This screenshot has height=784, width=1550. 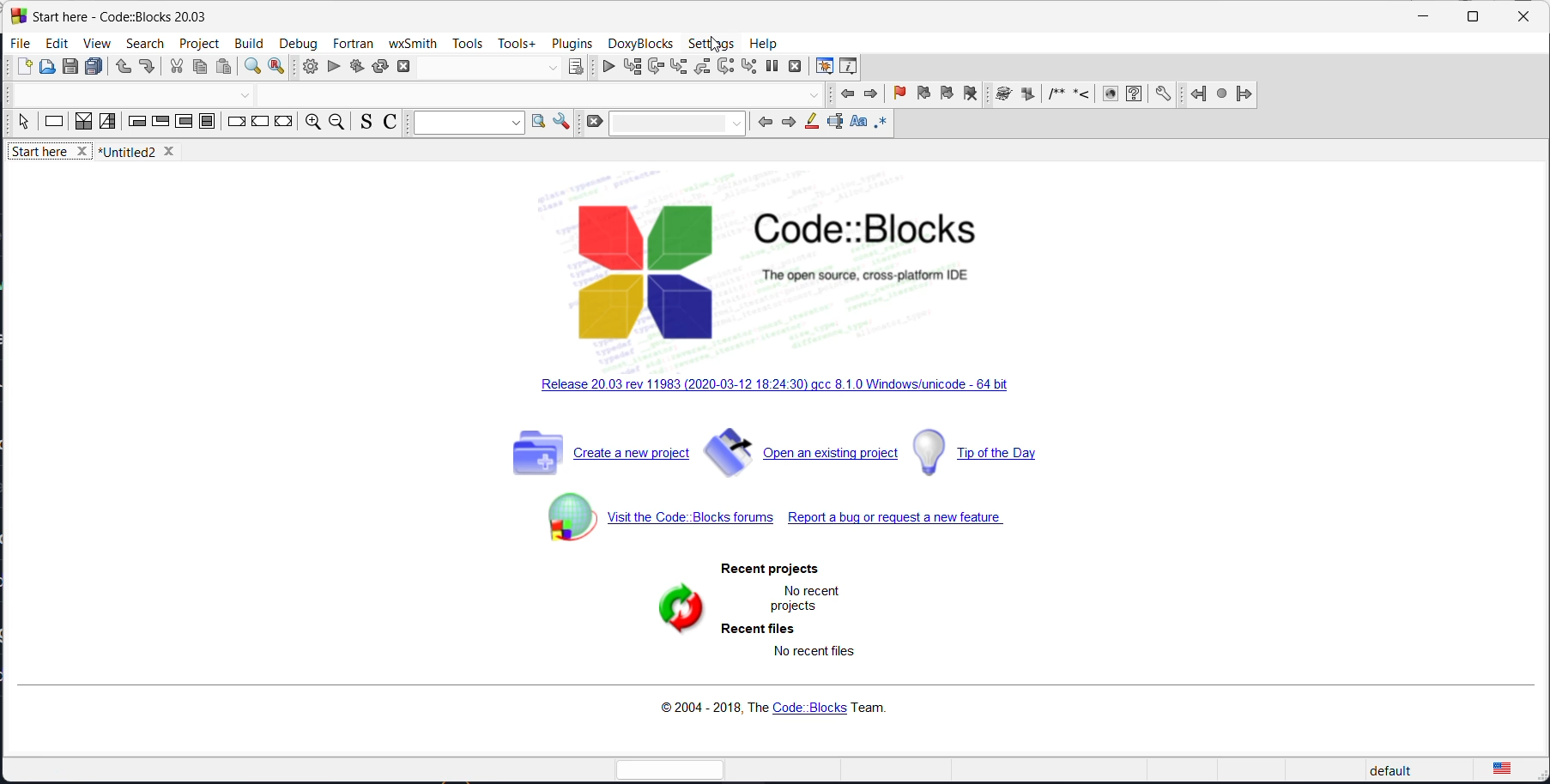 What do you see at coordinates (808, 270) in the screenshot?
I see `code blocks logo` at bounding box center [808, 270].